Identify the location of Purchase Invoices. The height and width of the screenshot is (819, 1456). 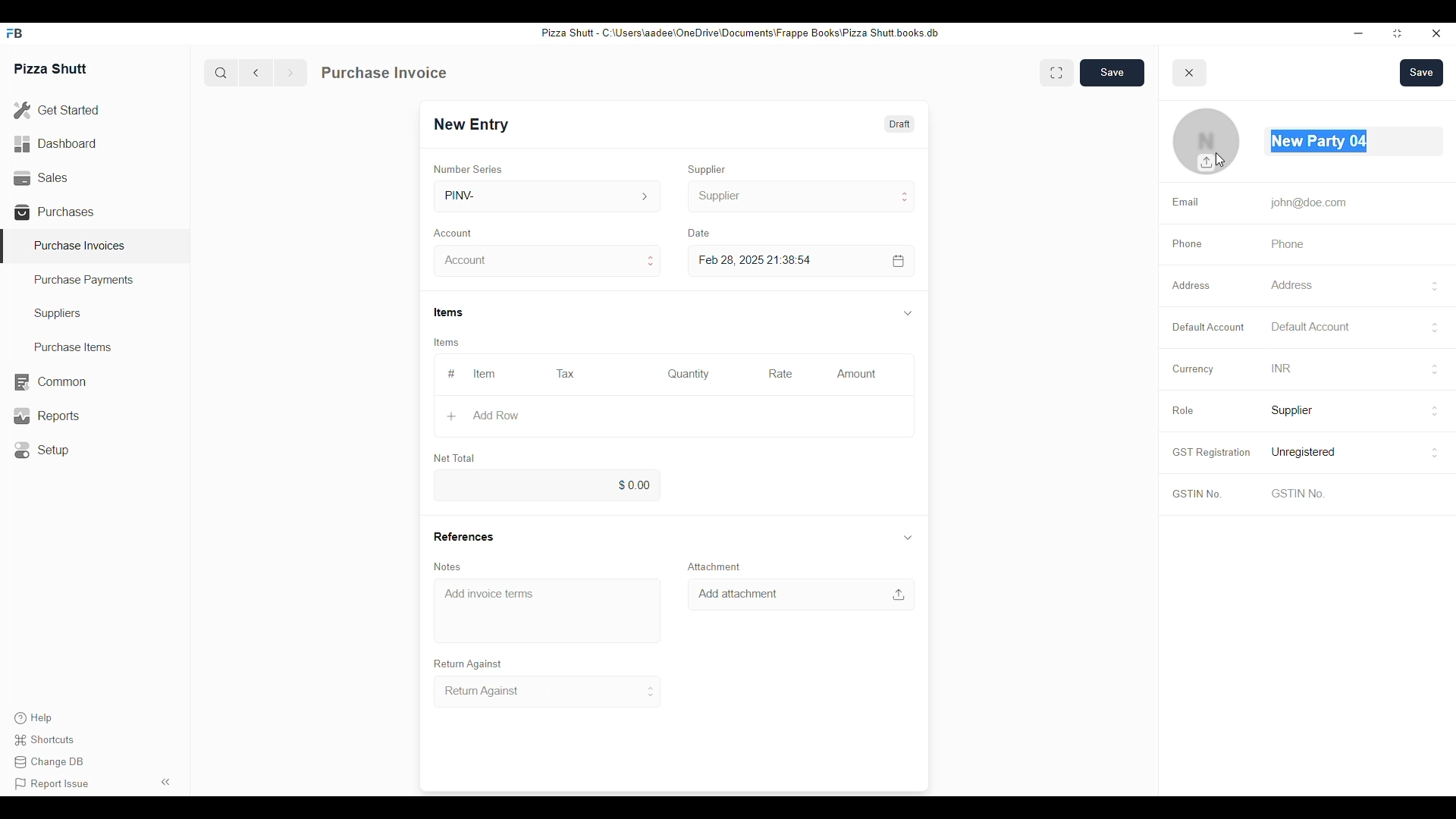
(80, 245).